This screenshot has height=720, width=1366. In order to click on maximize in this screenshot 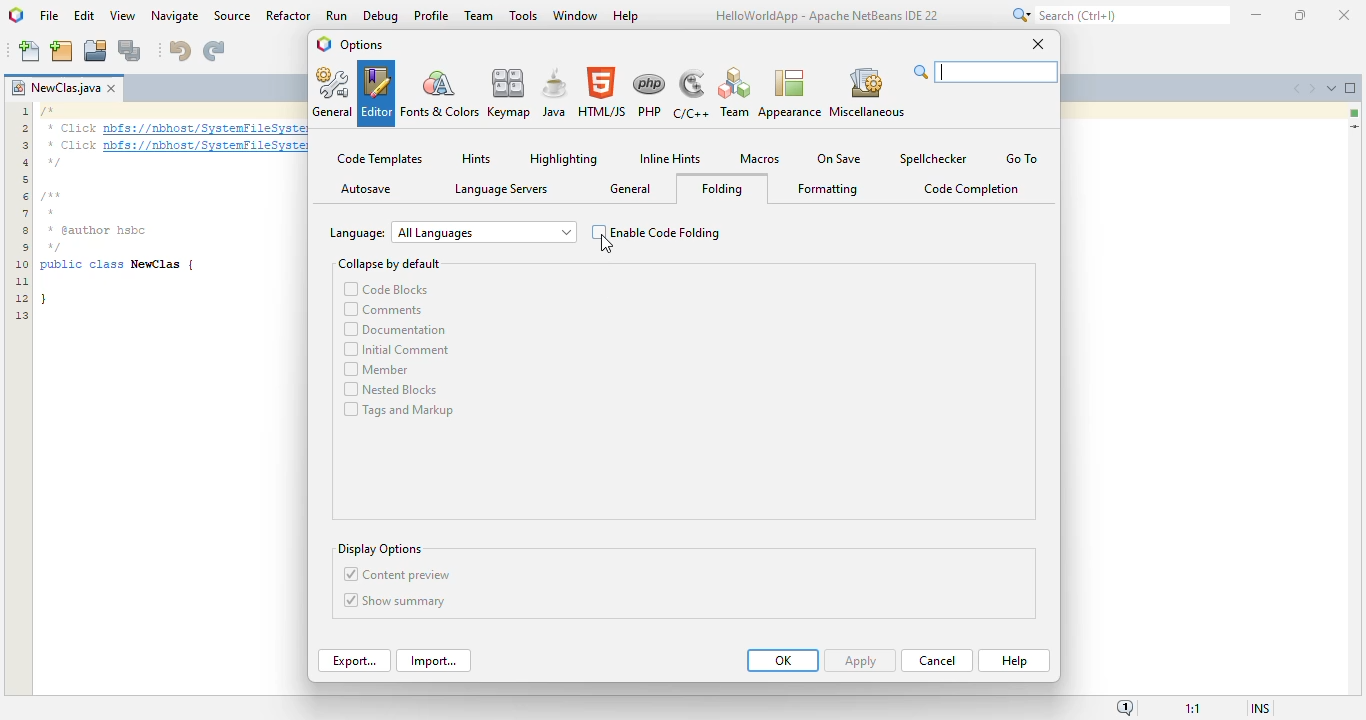, I will do `click(1301, 14)`.